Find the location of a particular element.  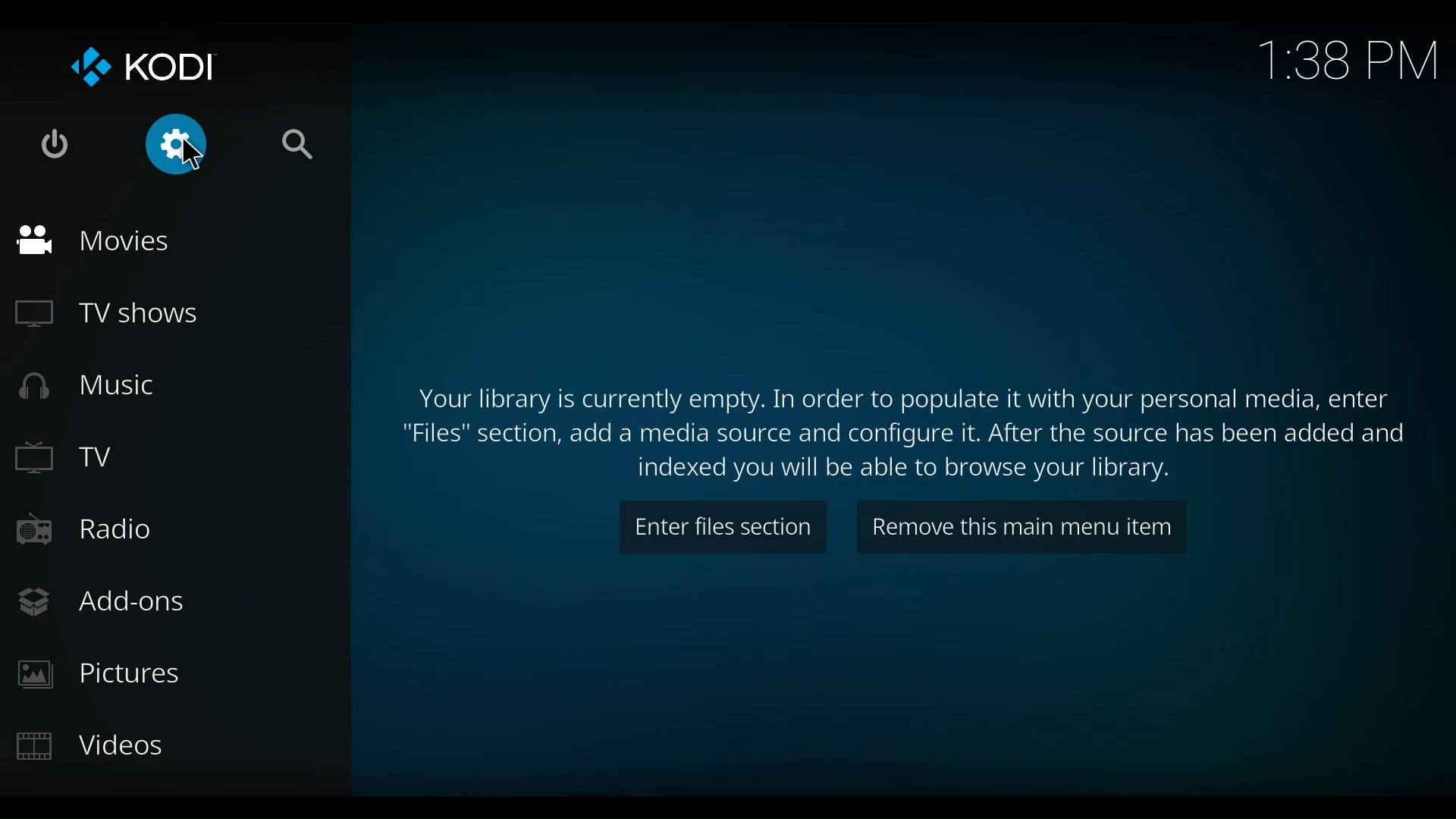

cursor is located at coordinates (189, 156).